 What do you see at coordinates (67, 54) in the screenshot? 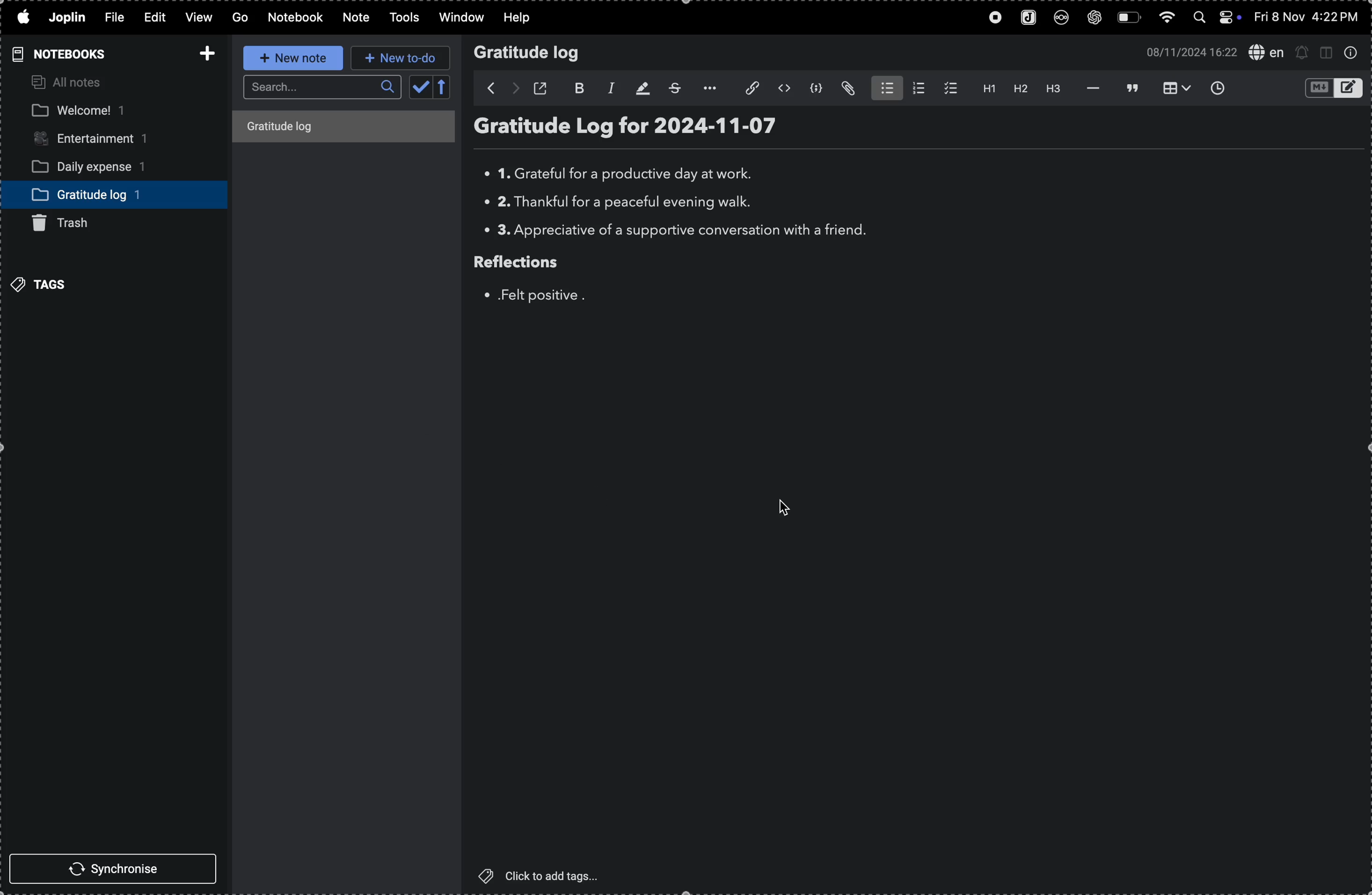
I see `notebooks` at bounding box center [67, 54].